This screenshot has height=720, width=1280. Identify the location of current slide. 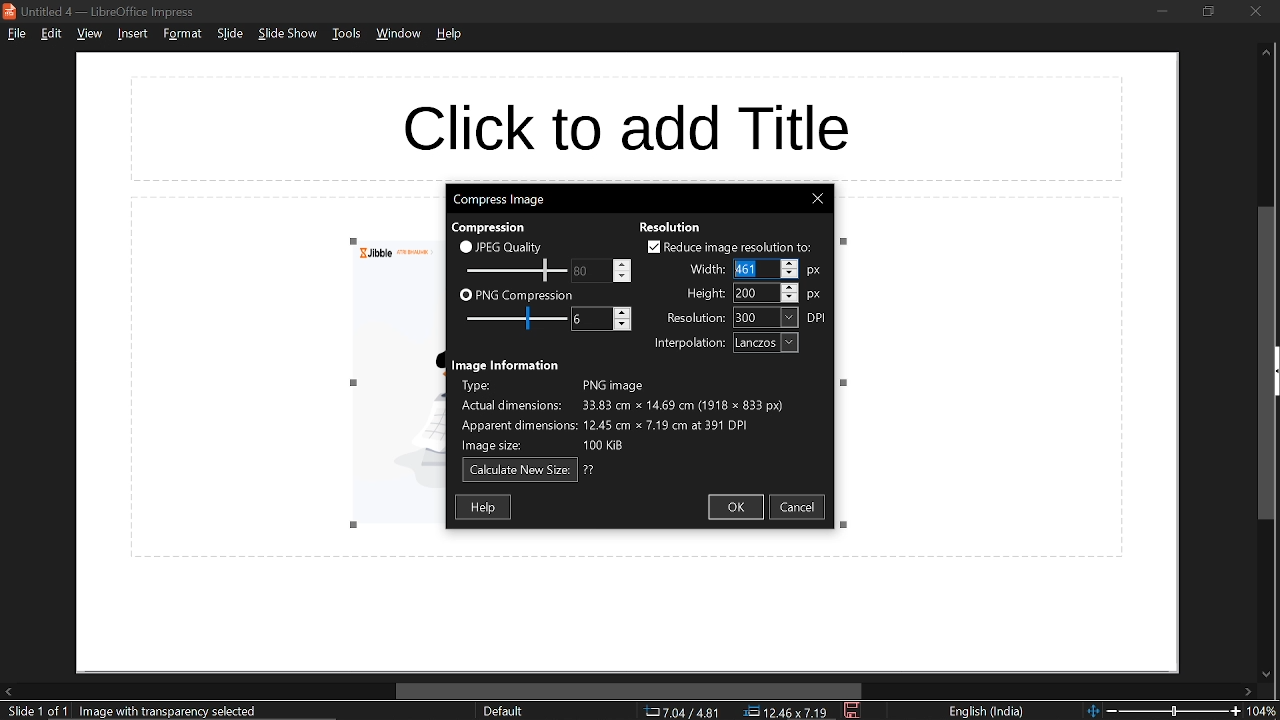
(33, 712).